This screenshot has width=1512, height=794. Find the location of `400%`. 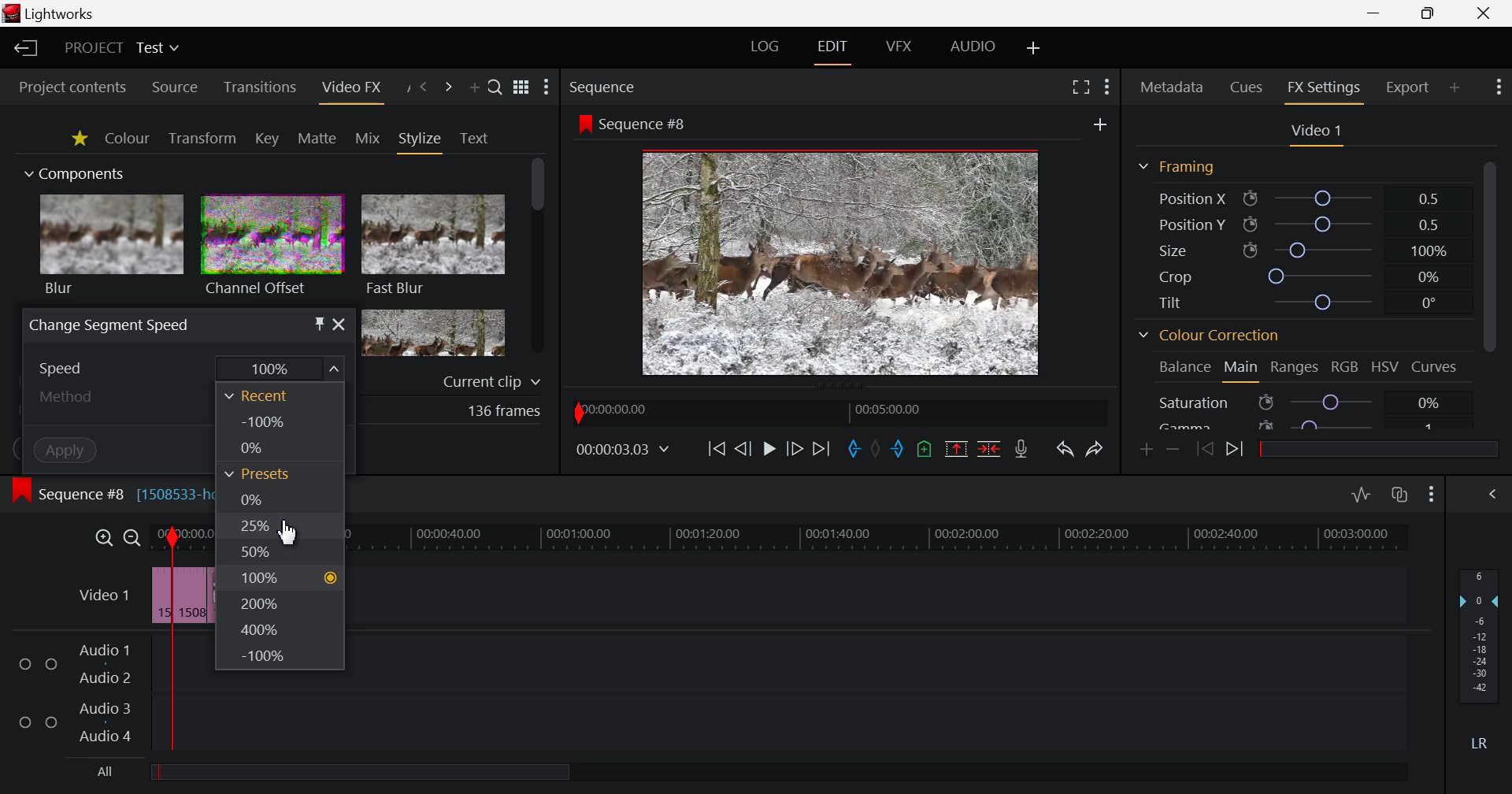

400% is located at coordinates (283, 629).